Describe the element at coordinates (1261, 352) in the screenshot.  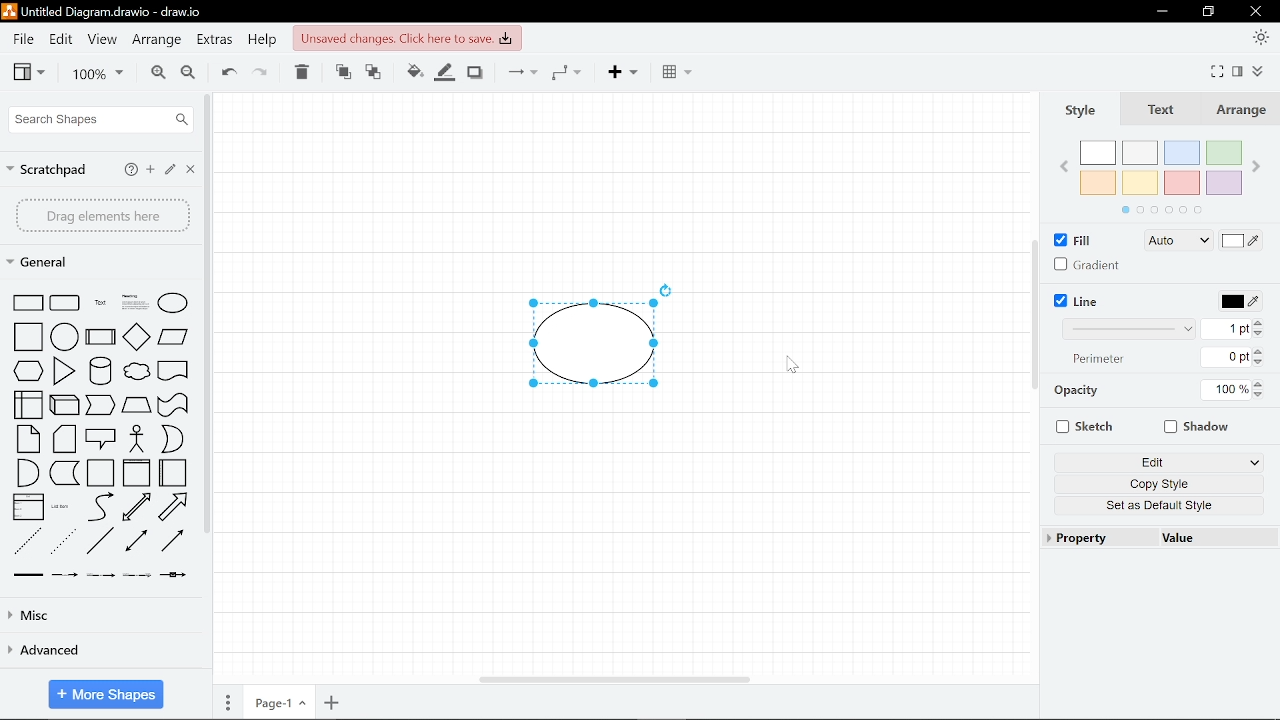
I see `Increase perimeter` at that location.